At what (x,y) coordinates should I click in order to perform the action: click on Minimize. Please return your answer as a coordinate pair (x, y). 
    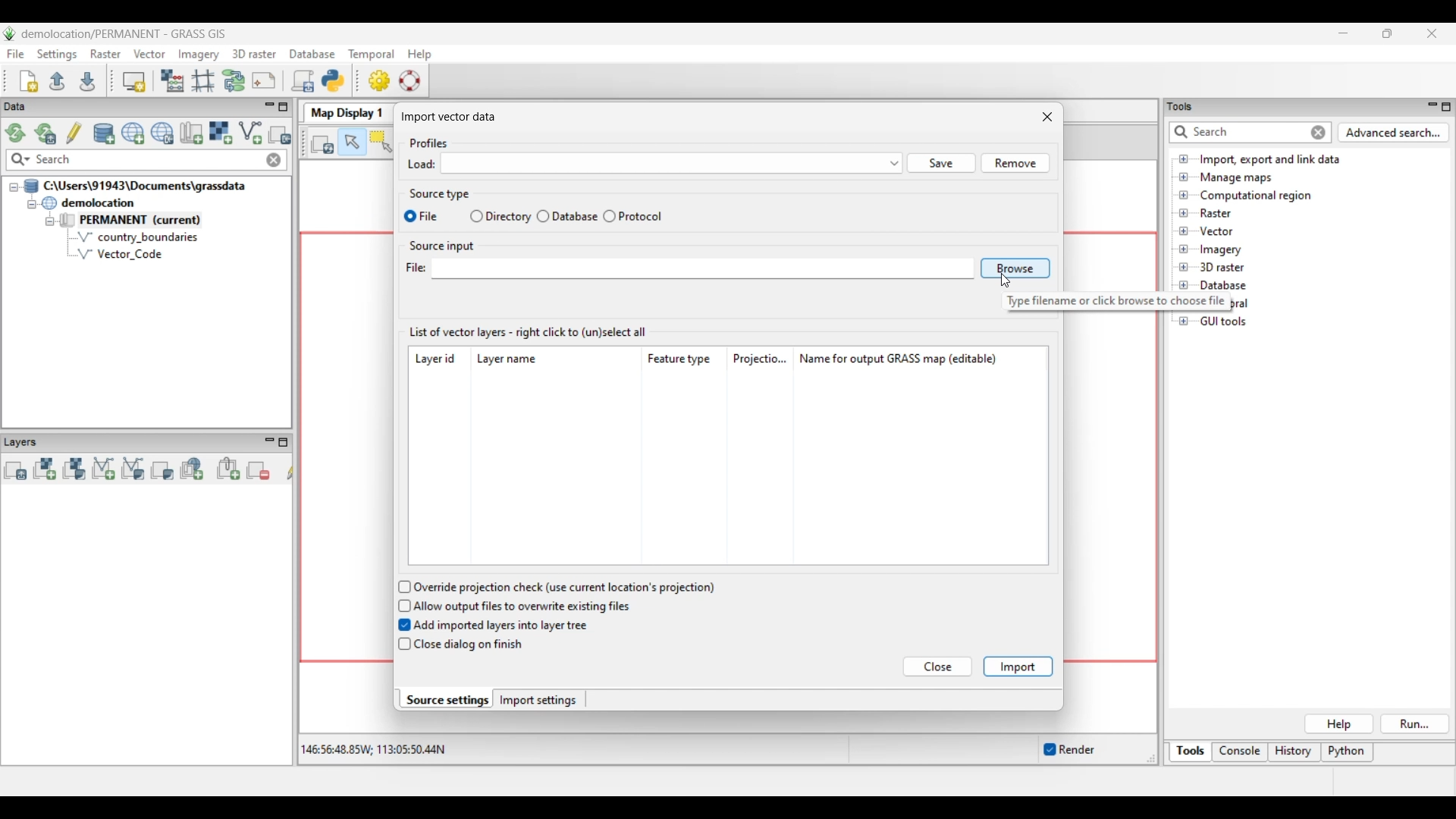
    Looking at the image, I should click on (1343, 33).